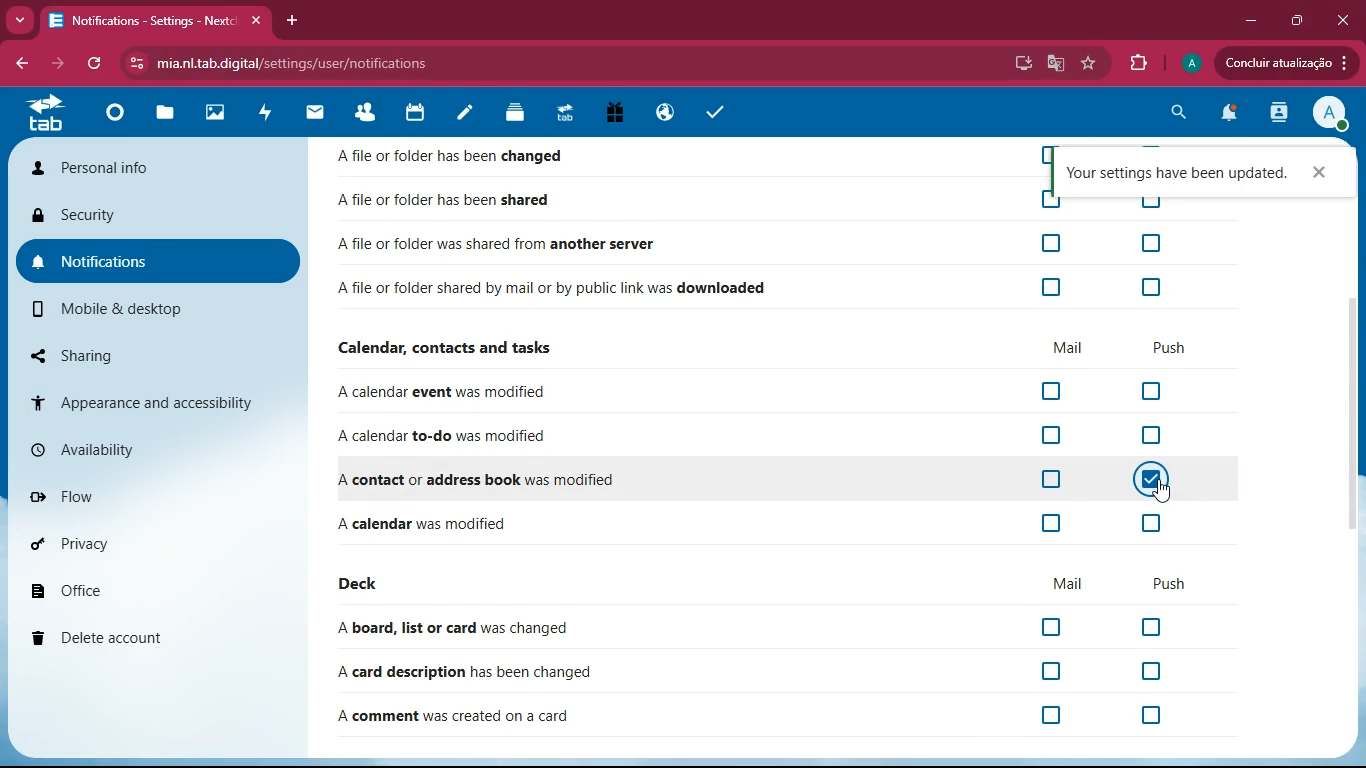 The width and height of the screenshot is (1366, 768). Describe the element at coordinates (213, 112) in the screenshot. I see `images` at that location.